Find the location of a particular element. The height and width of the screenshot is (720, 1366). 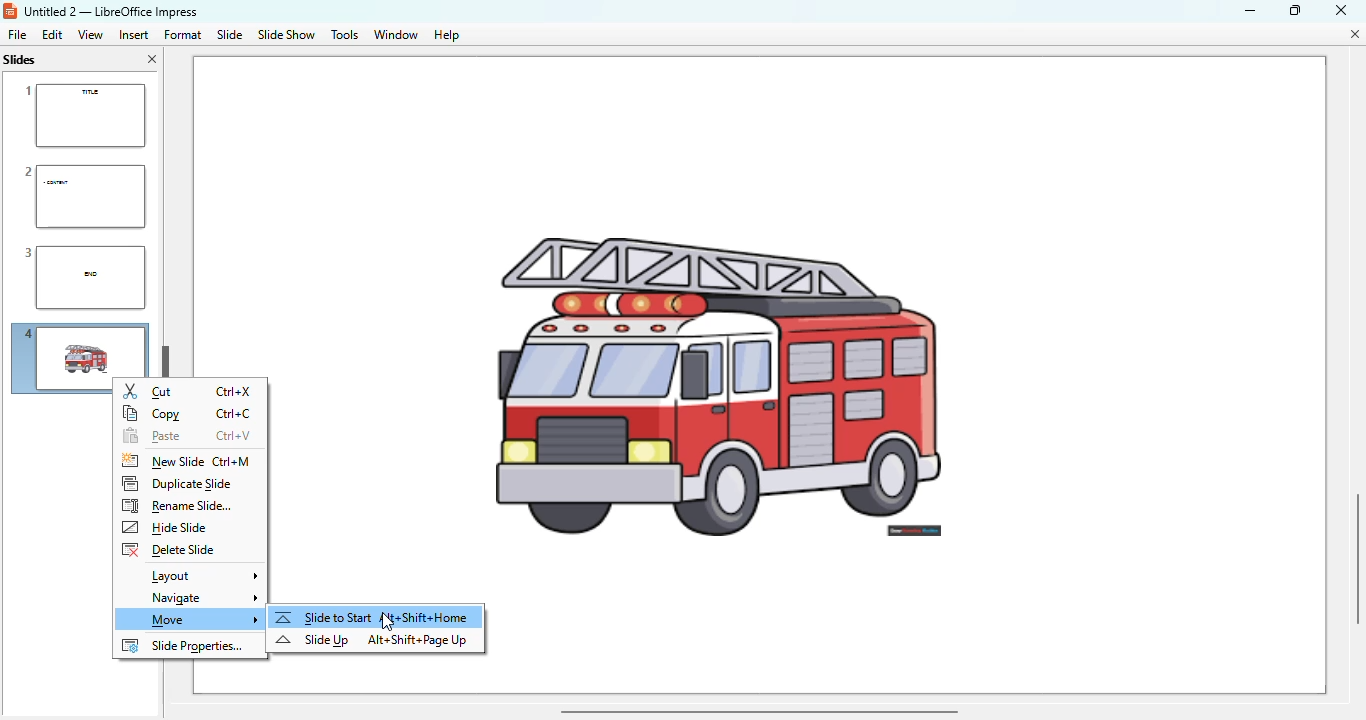

close pane is located at coordinates (152, 59).